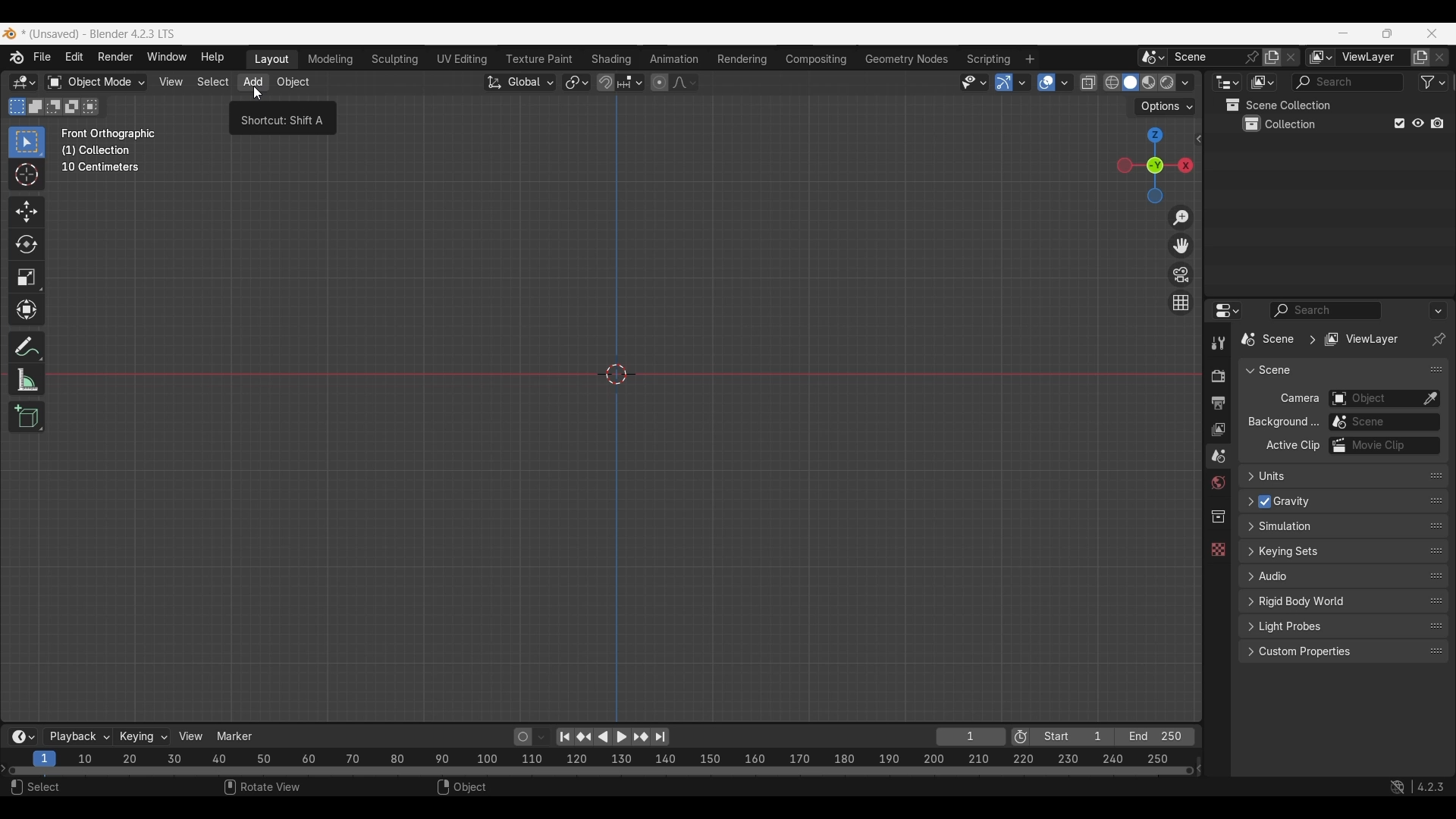 Image resolution: width=1456 pixels, height=819 pixels. What do you see at coordinates (463, 59) in the screenshot?
I see `UV Editing workspace` at bounding box center [463, 59].